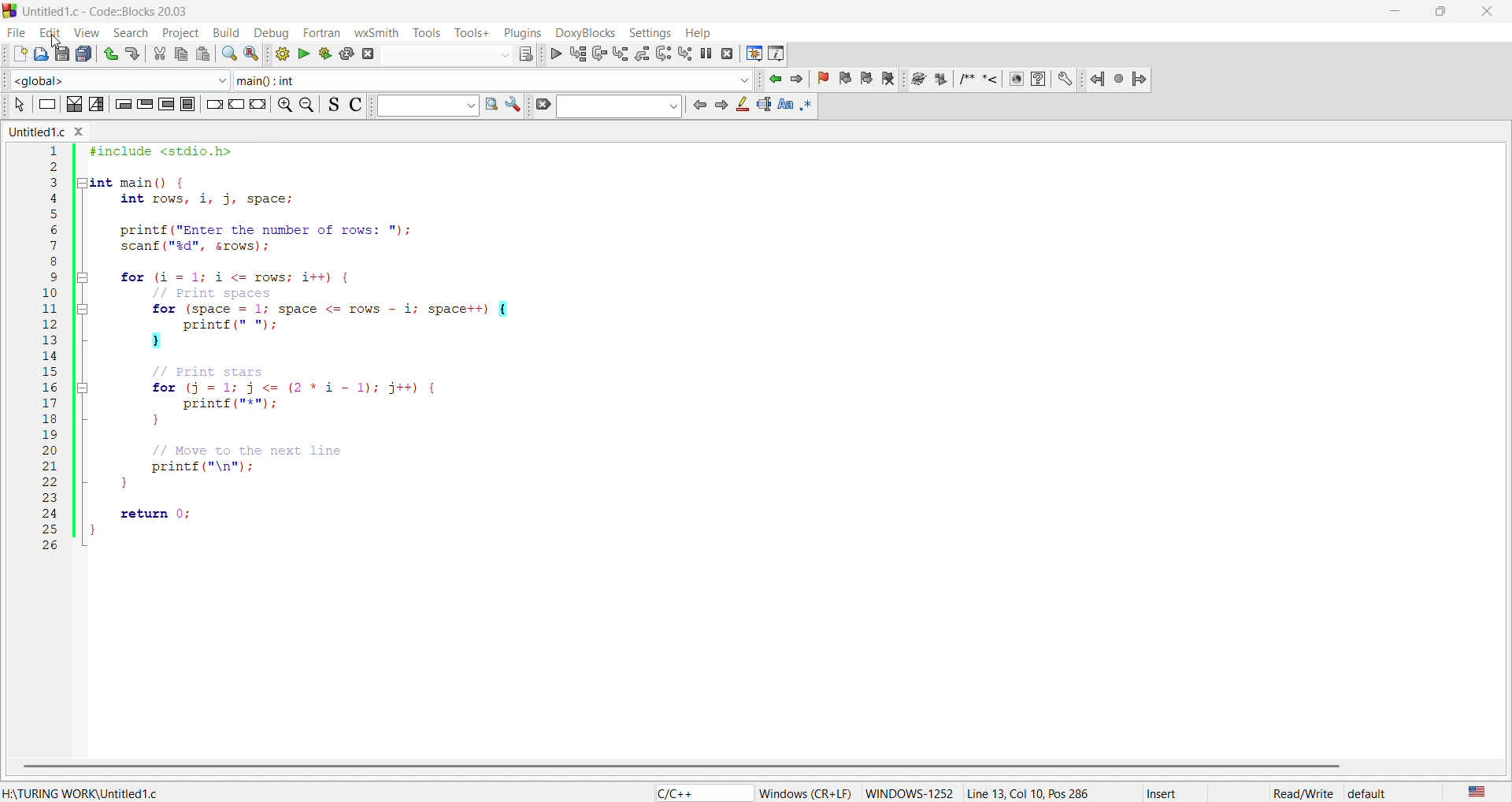 The image size is (1512, 802). What do you see at coordinates (235, 104) in the screenshot?
I see `continue instruction` at bounding box center [235, 104].